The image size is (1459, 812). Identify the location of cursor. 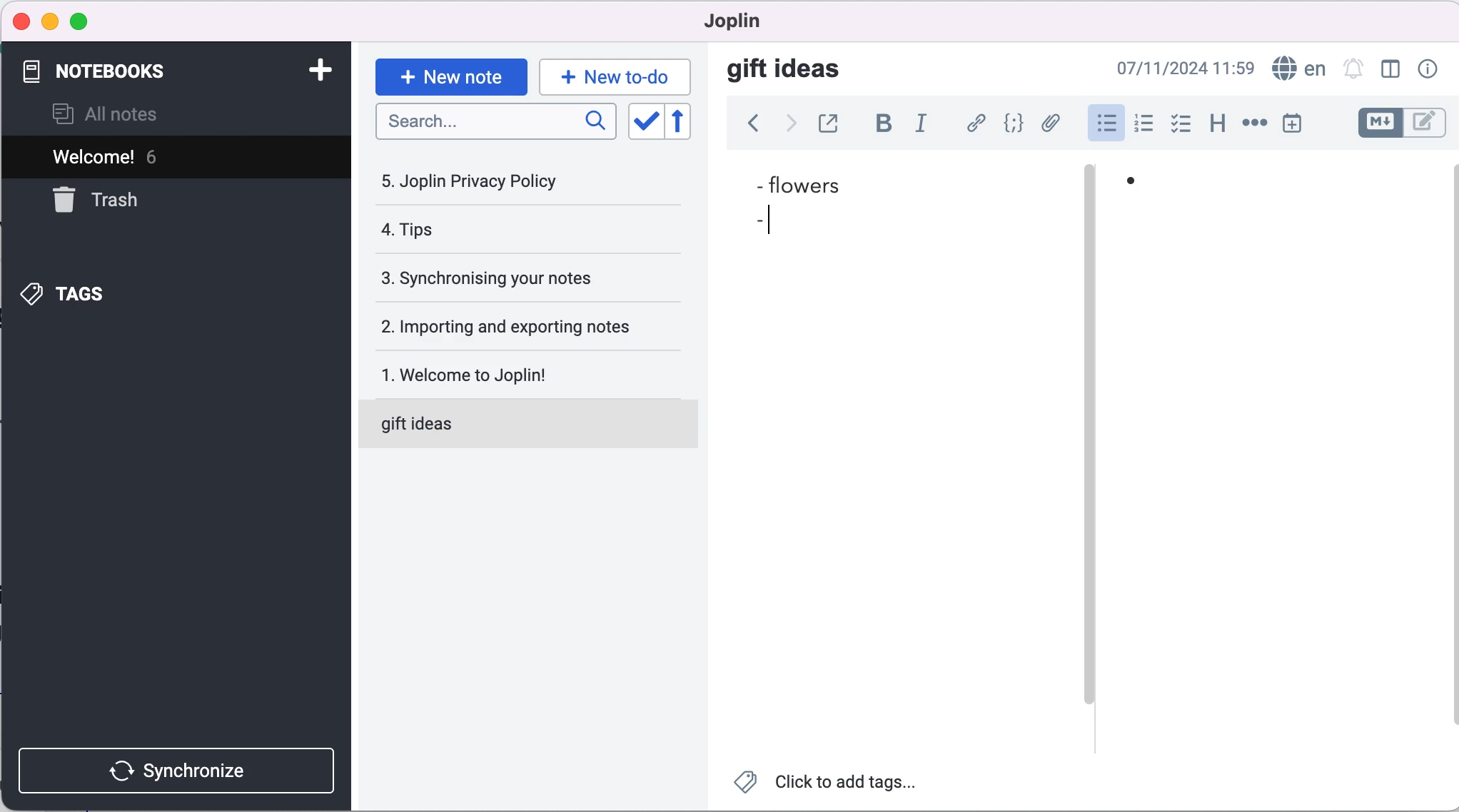
(774, 222).